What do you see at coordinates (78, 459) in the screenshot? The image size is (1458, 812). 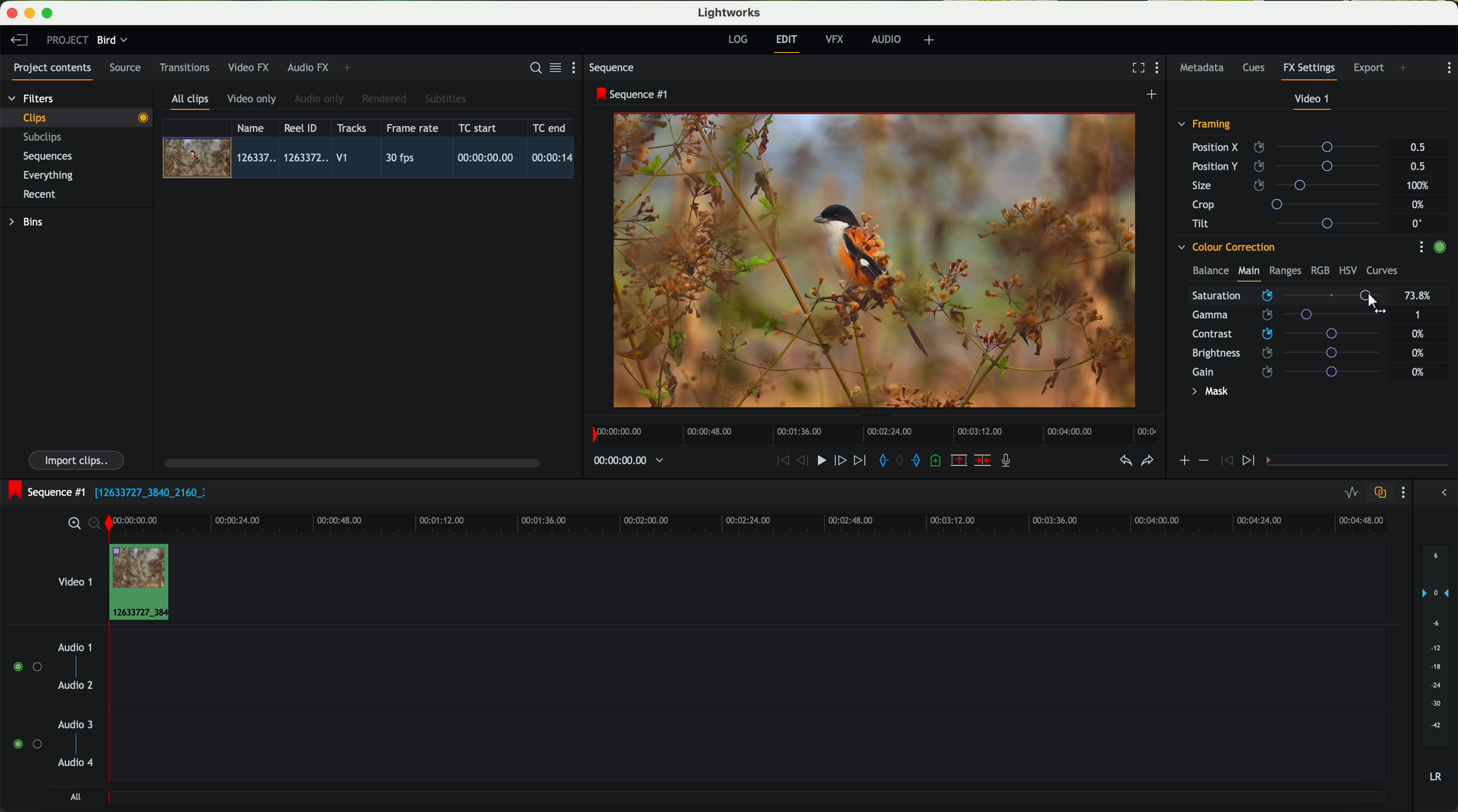 I see `import clips` at bounding box center [78, 459].